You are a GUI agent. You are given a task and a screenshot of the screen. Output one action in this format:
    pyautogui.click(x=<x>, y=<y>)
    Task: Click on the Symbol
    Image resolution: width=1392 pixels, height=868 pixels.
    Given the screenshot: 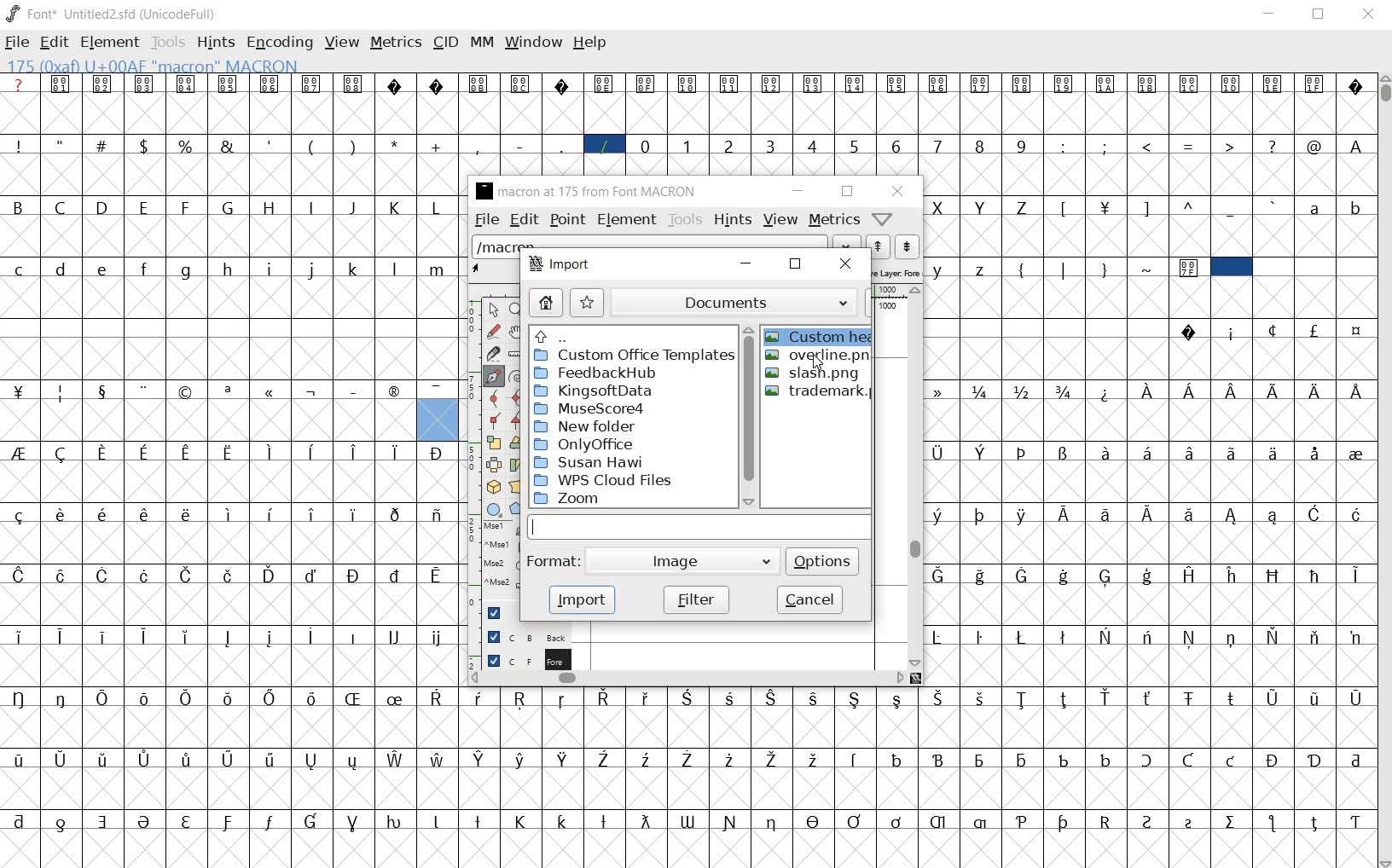 What is the action you would take?
    pyautogui.click(x=1273, y=575)
    